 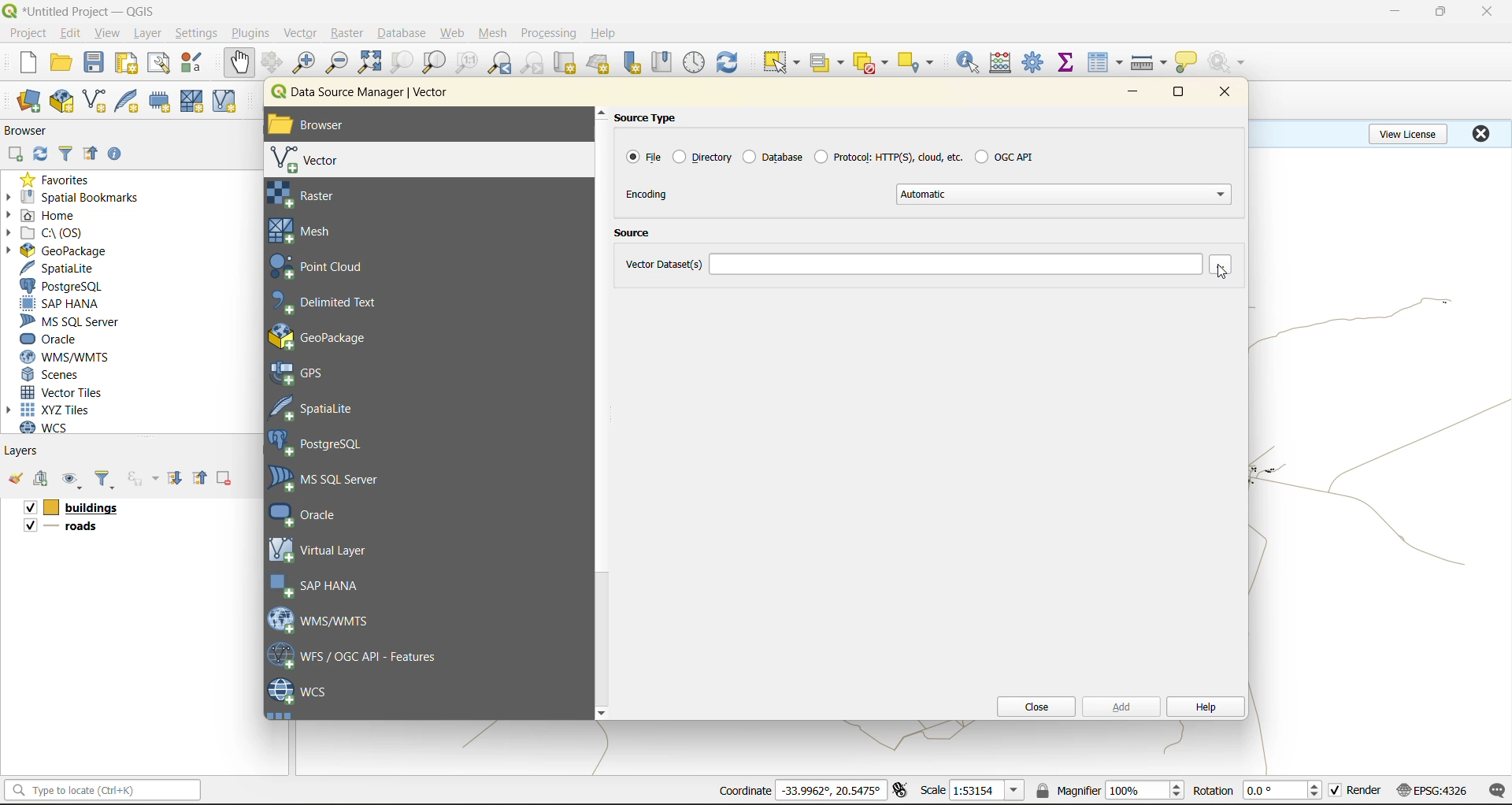 I want to click on select value, so click(x=830, y=65).